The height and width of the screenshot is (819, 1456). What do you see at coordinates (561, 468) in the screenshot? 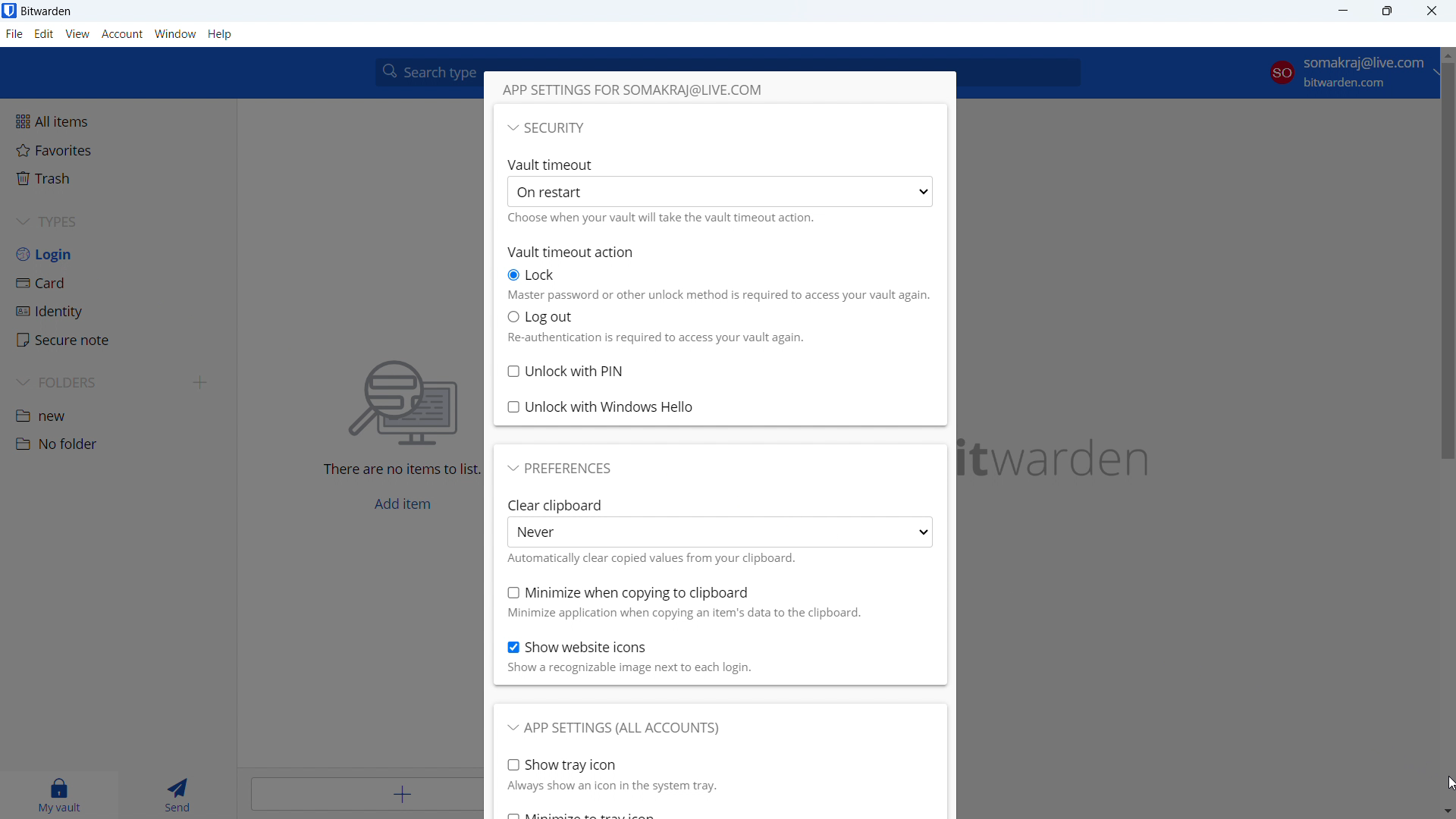
I see `preferences` at bounding box center [561, 468].